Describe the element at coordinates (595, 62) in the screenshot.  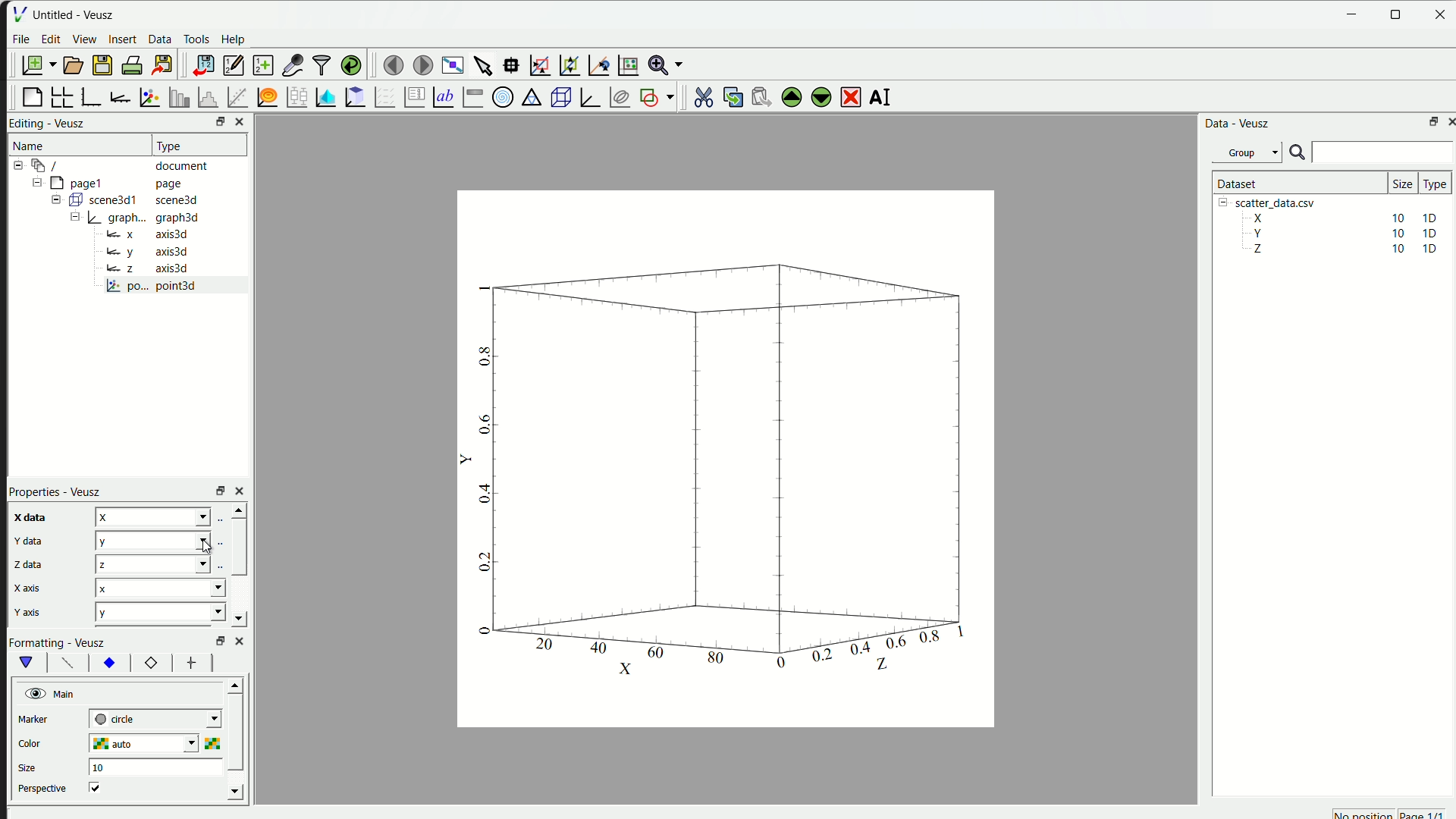
I see `recenter graph axes` at that location.